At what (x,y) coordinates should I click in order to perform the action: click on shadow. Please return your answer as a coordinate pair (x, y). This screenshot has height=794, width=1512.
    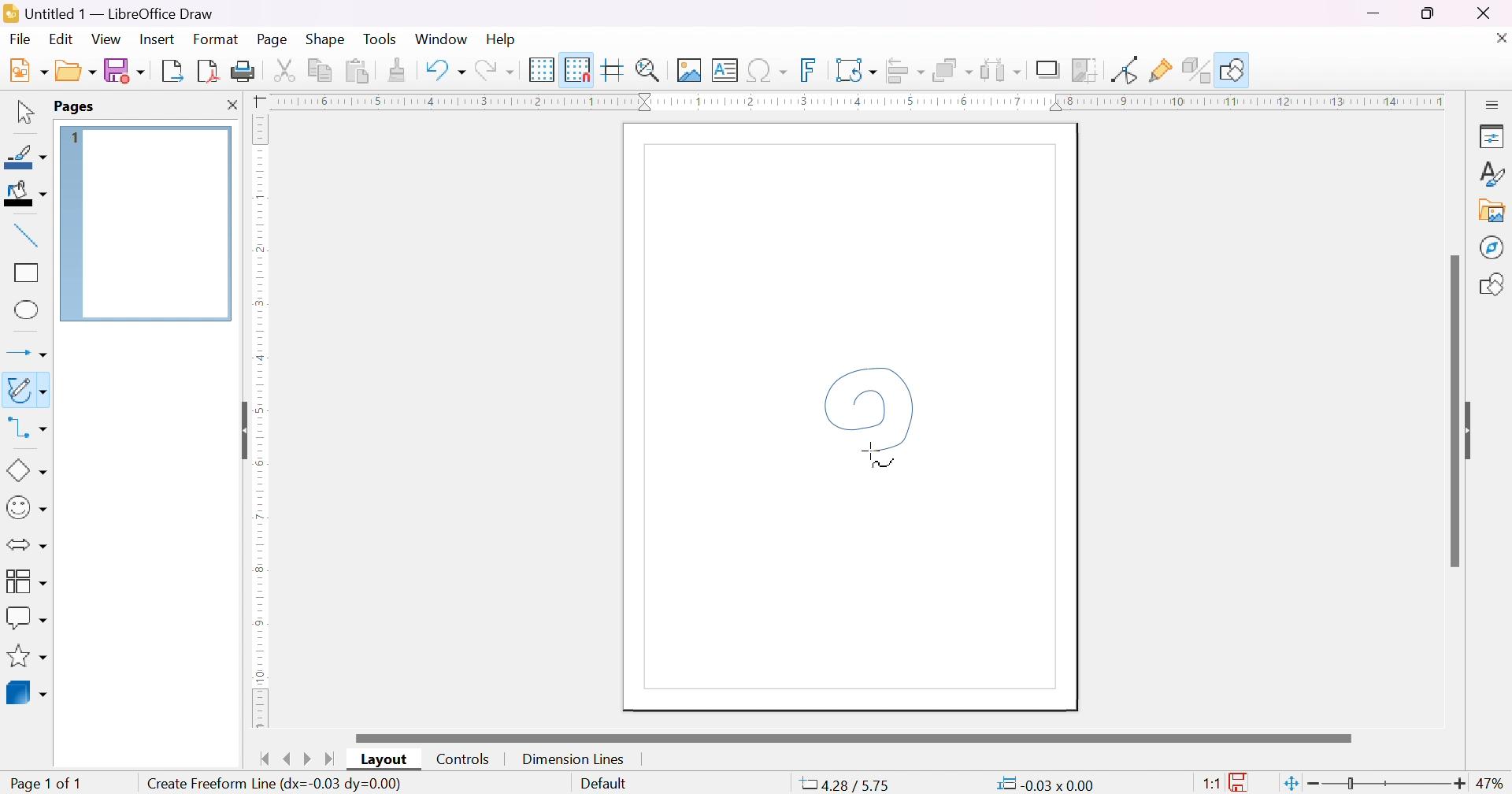
    Looking at the image, I should click on (1049, 71).